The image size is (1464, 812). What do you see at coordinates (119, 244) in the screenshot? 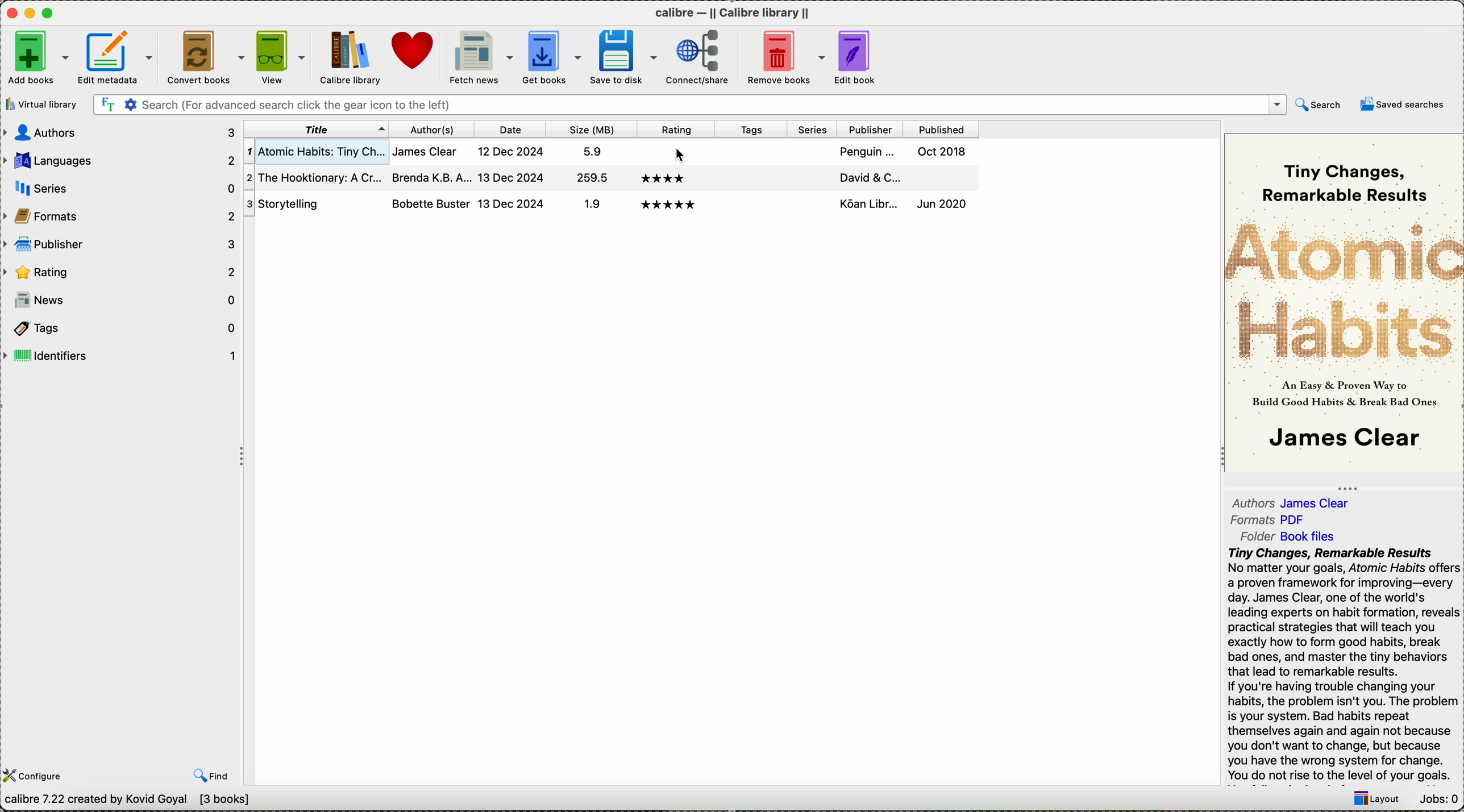
I see `publisher` at bounding box center [119, 244].